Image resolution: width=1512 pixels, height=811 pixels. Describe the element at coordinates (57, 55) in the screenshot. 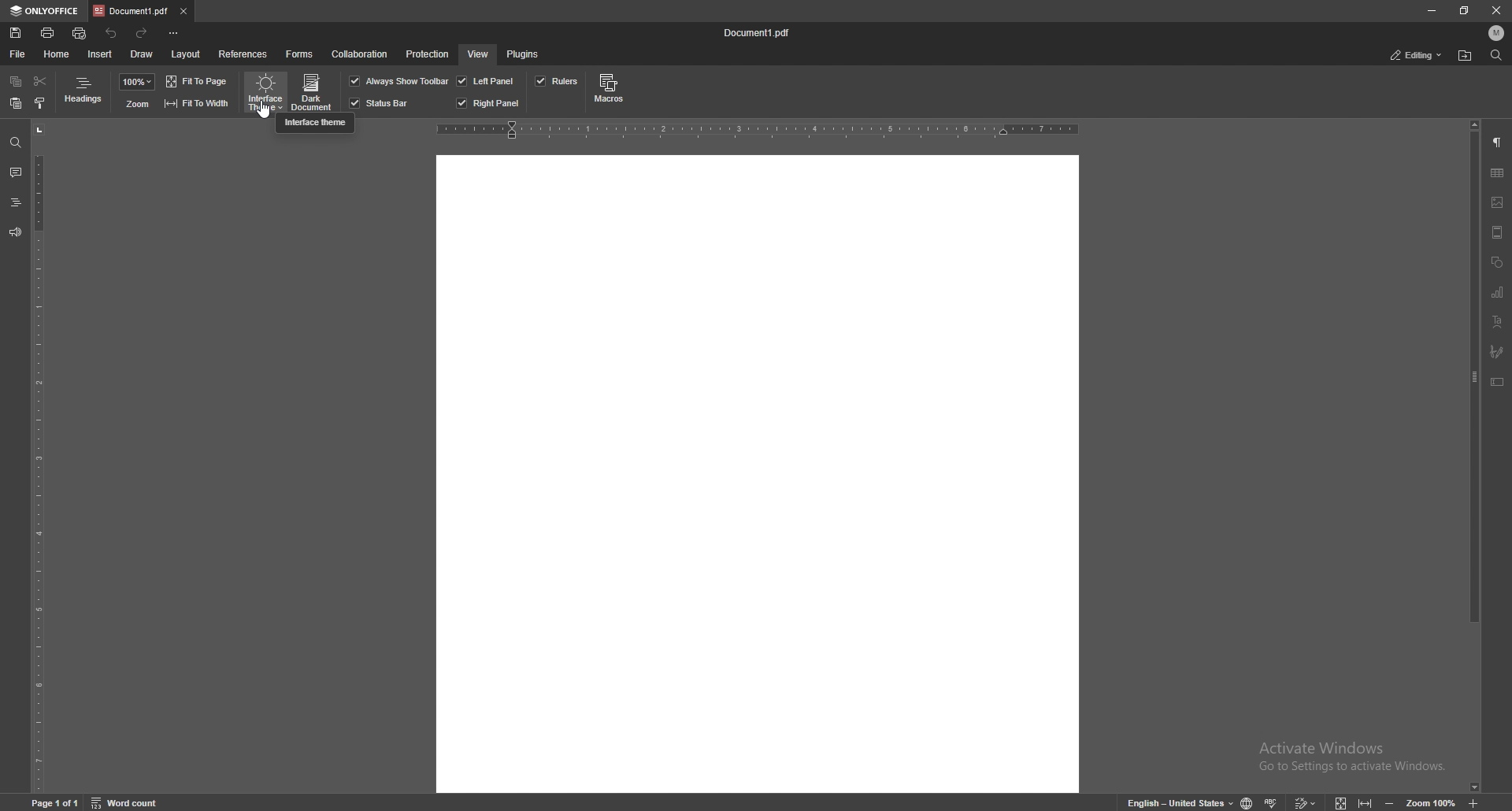

I see `home` at that location.